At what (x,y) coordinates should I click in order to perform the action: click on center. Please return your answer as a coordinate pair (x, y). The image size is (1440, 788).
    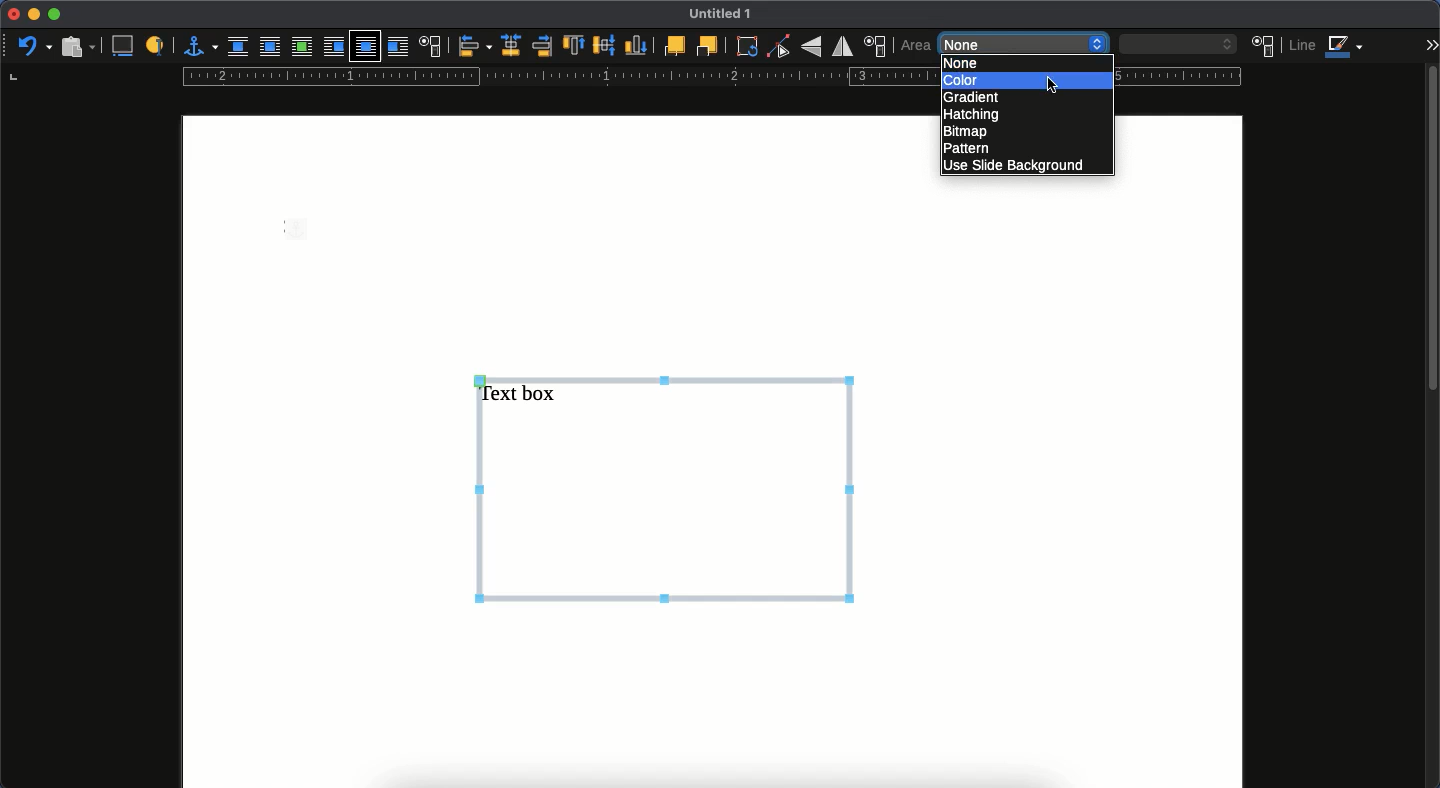
    Looking at the image, I should click on (604, 45).